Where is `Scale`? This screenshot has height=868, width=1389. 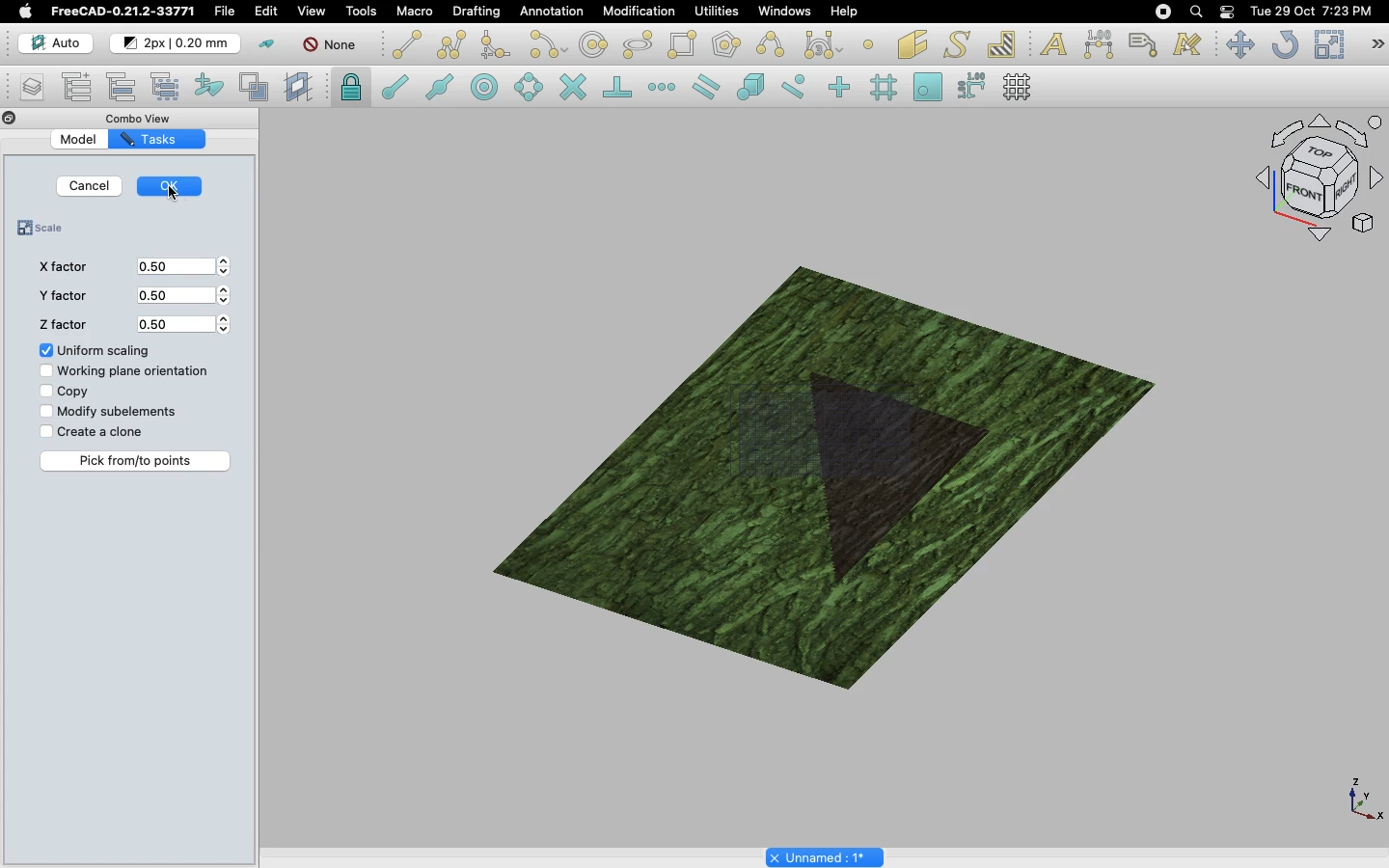 Scale is located at coordinates (46, 230).